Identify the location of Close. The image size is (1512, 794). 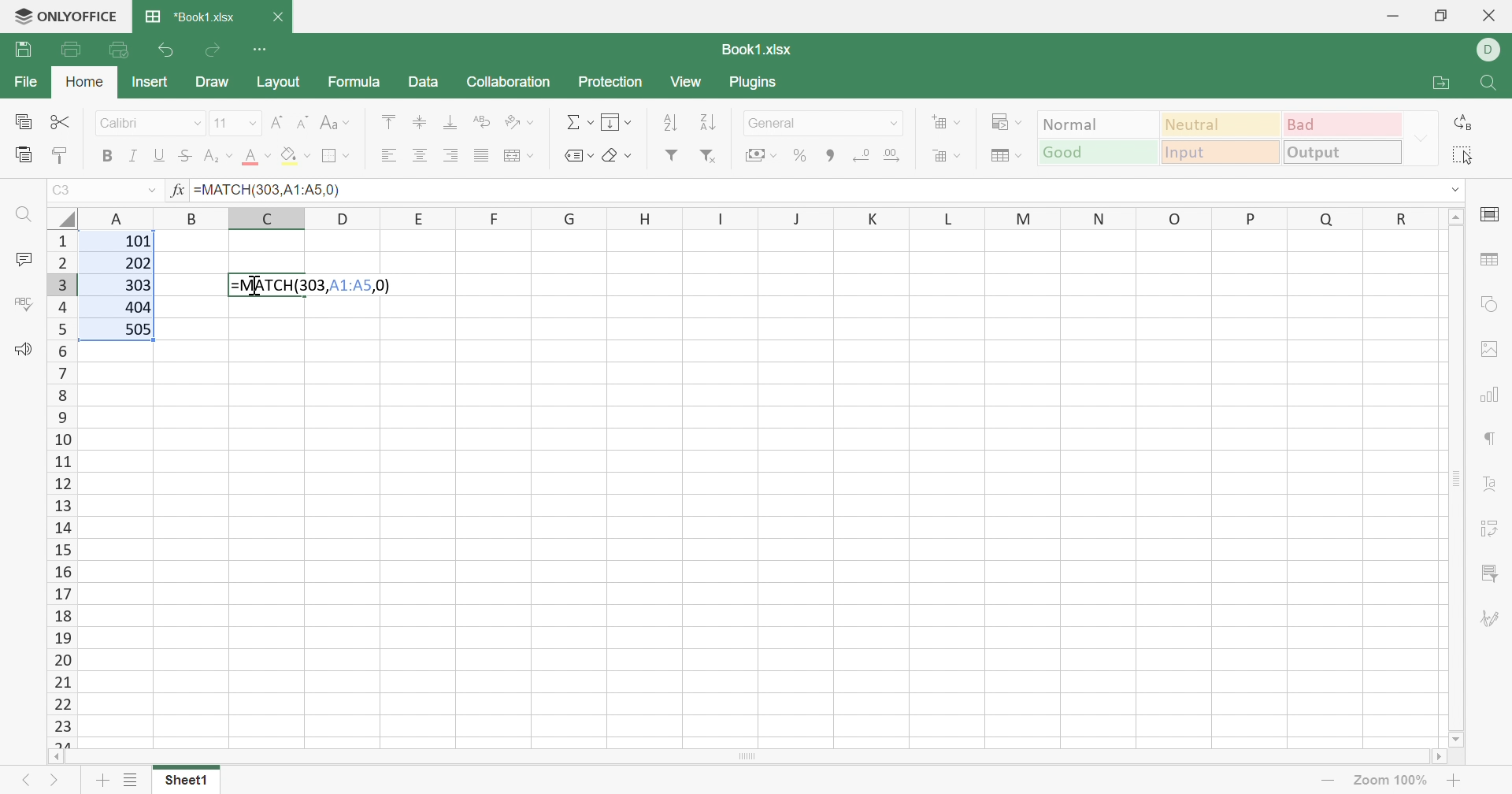
(1488, 17).